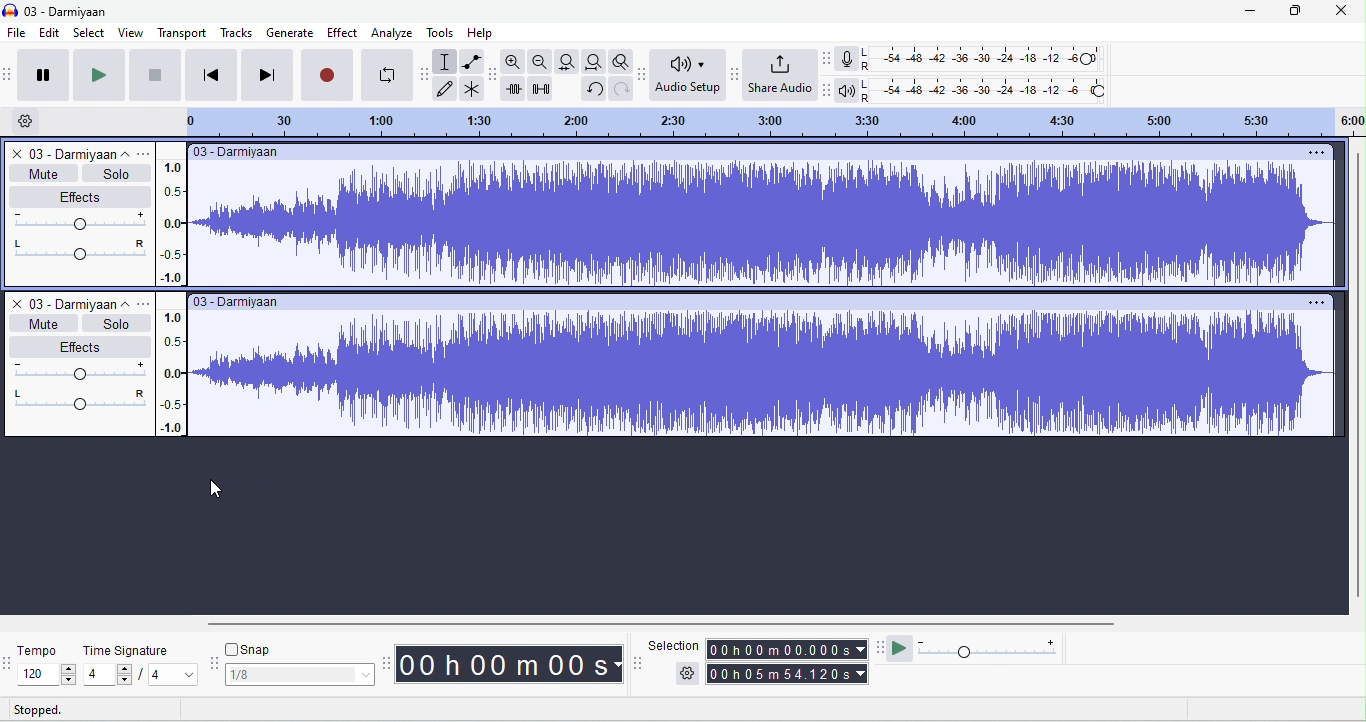 This screenshot has height=722, width=1366. I want to click on draw, so click(442, 89).